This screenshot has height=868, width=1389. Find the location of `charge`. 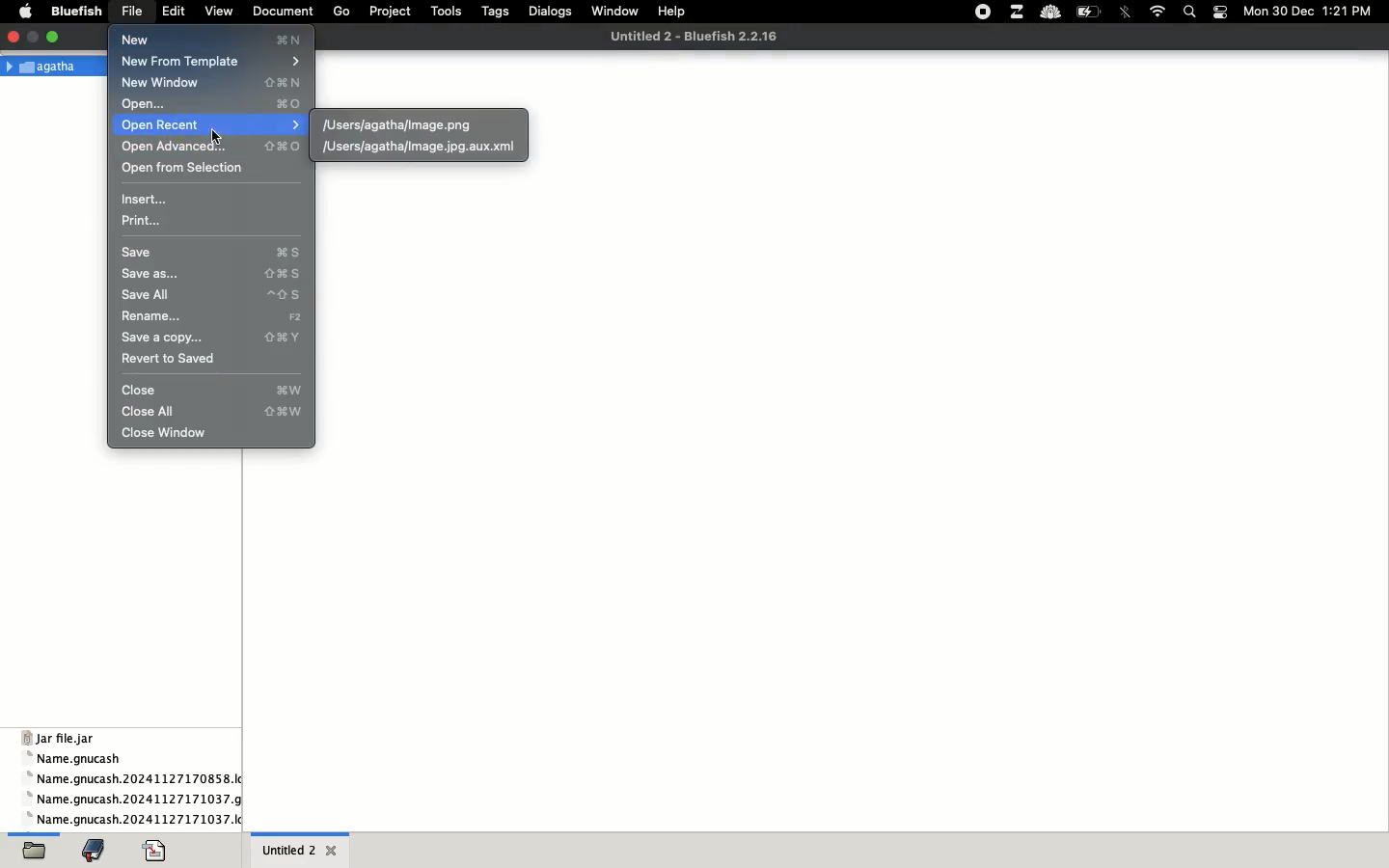

charge is located at coordinates (1090, 12).